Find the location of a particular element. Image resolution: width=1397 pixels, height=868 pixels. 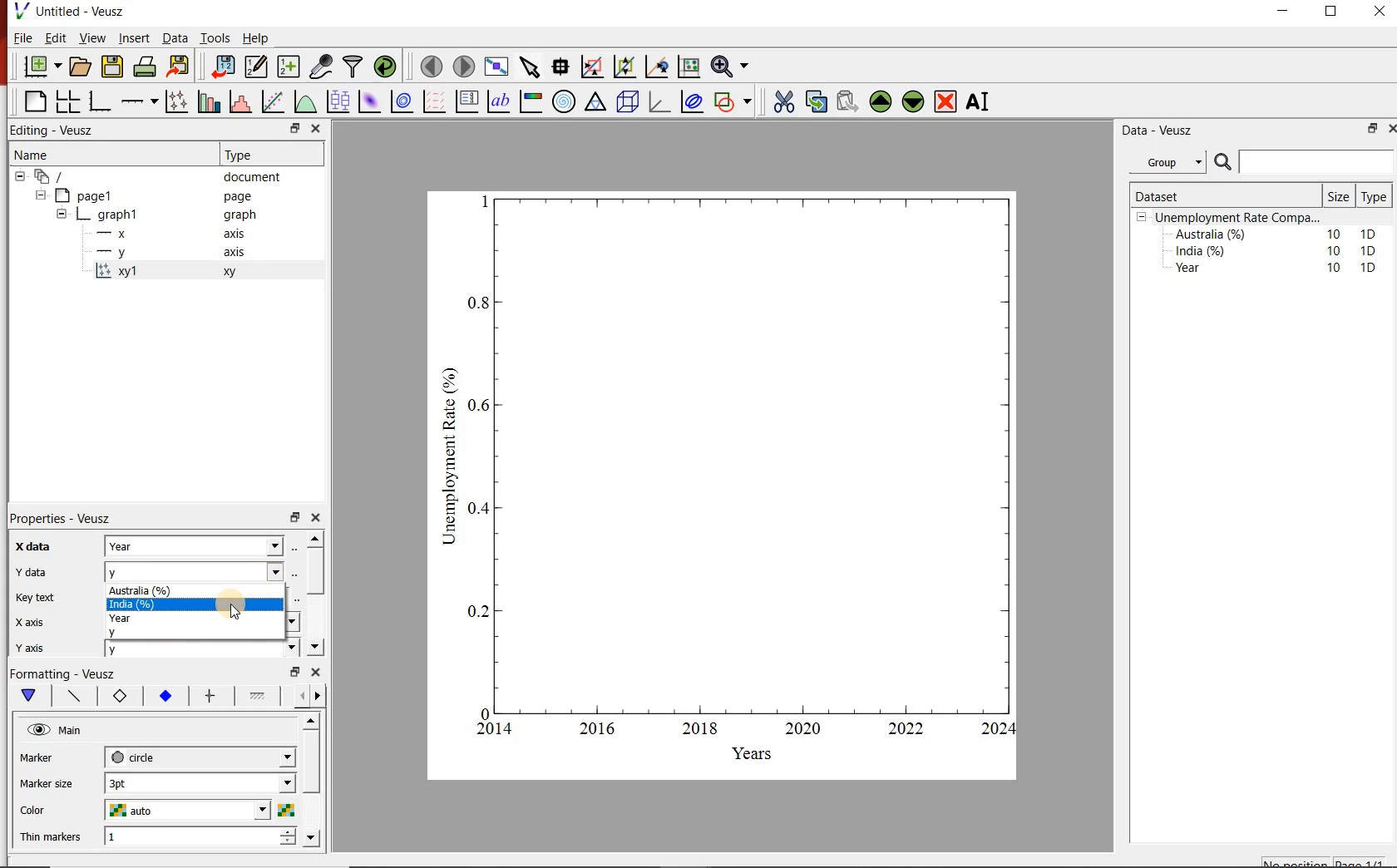

move down is located at coordinates (311, 838).